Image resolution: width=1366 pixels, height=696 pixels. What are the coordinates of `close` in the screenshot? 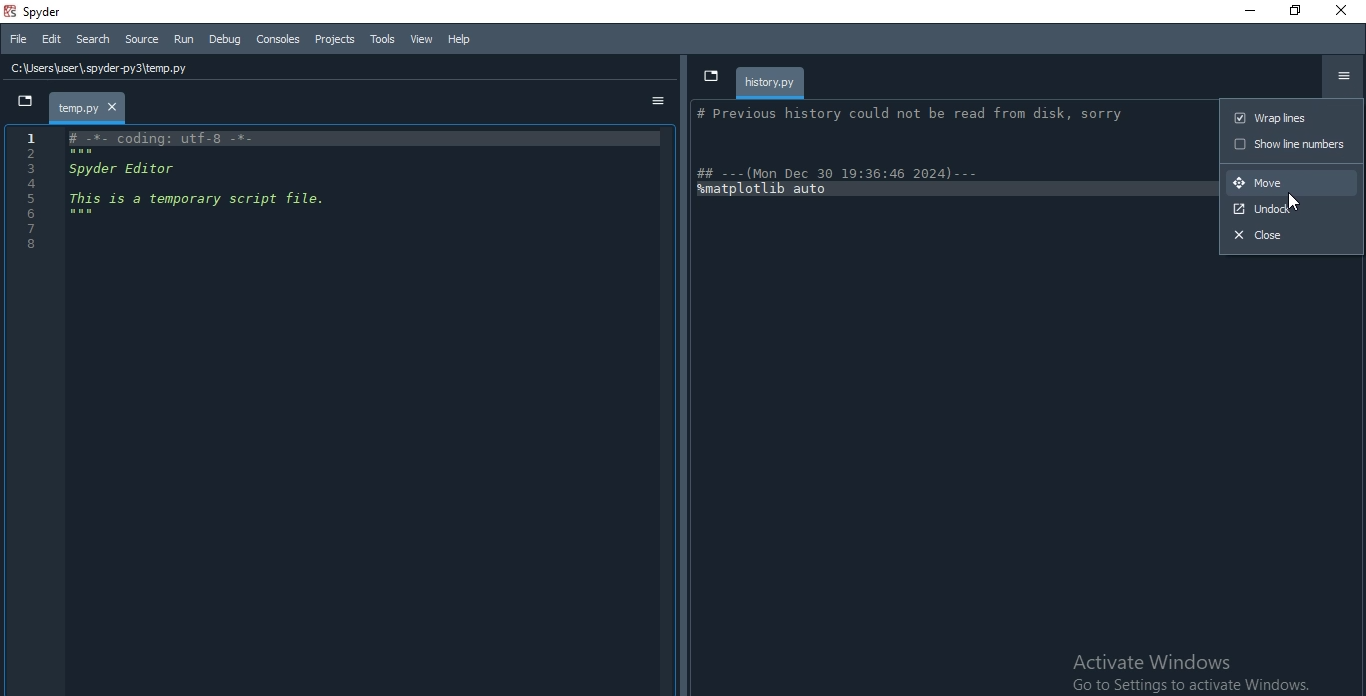 It's located at (1293, 238).